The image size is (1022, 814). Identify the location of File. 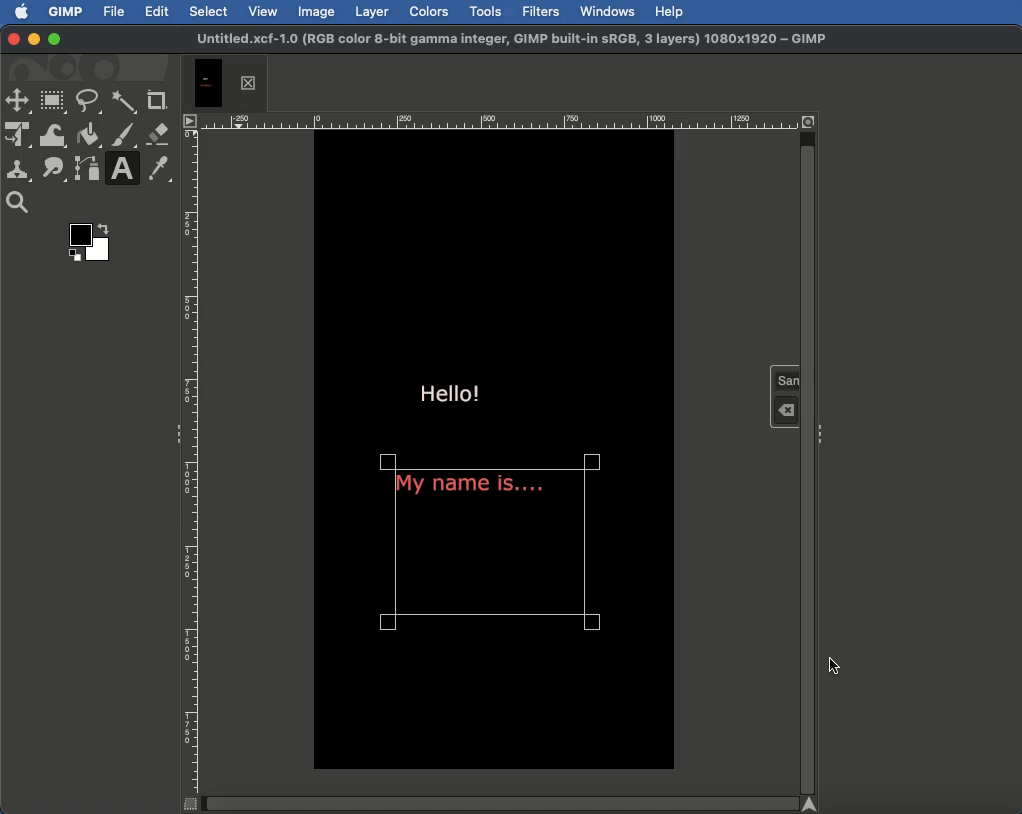
(113, 13).